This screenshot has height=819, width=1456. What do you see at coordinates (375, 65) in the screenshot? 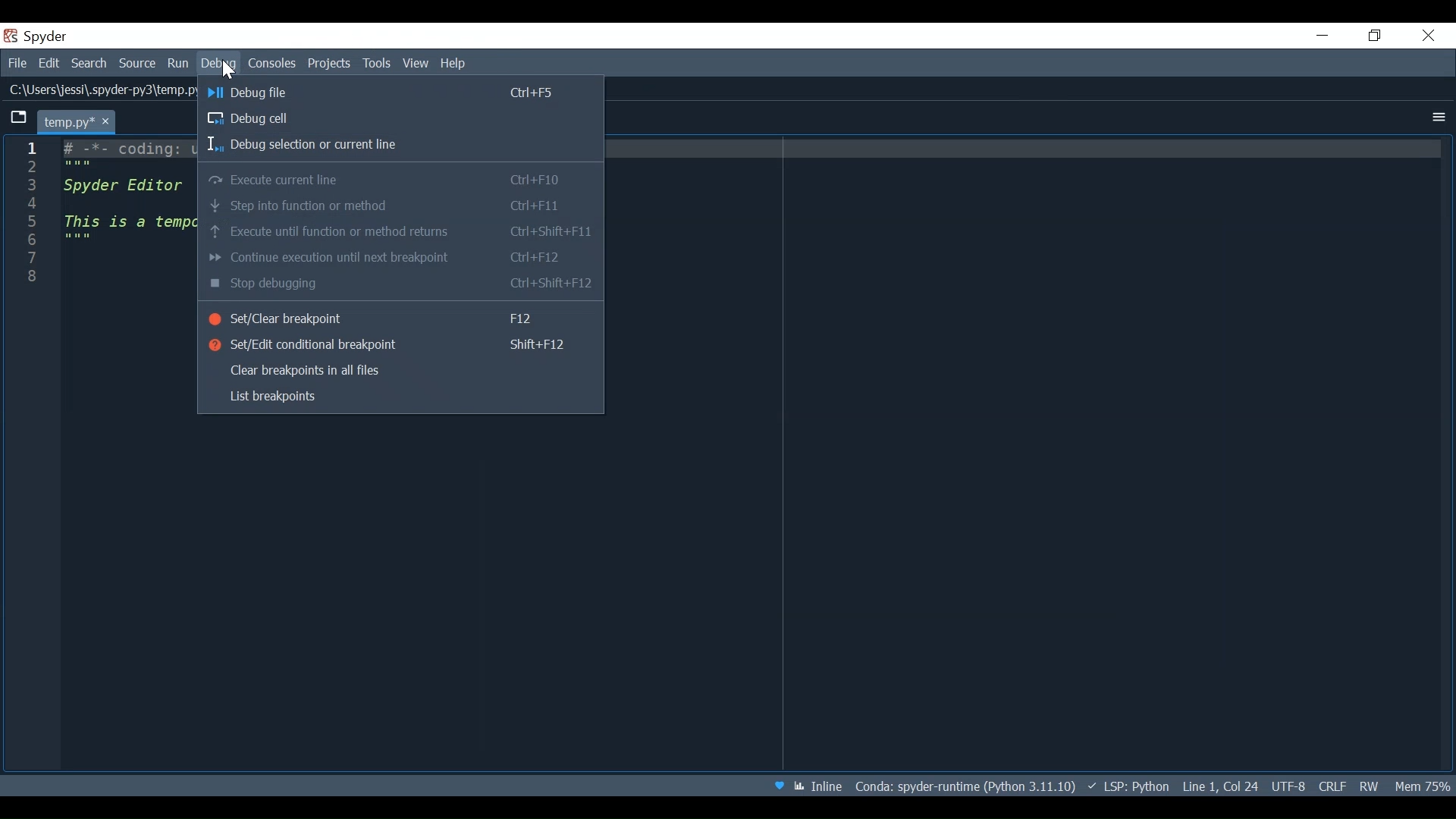
I see `Tools` at bounding box center [375, 65].